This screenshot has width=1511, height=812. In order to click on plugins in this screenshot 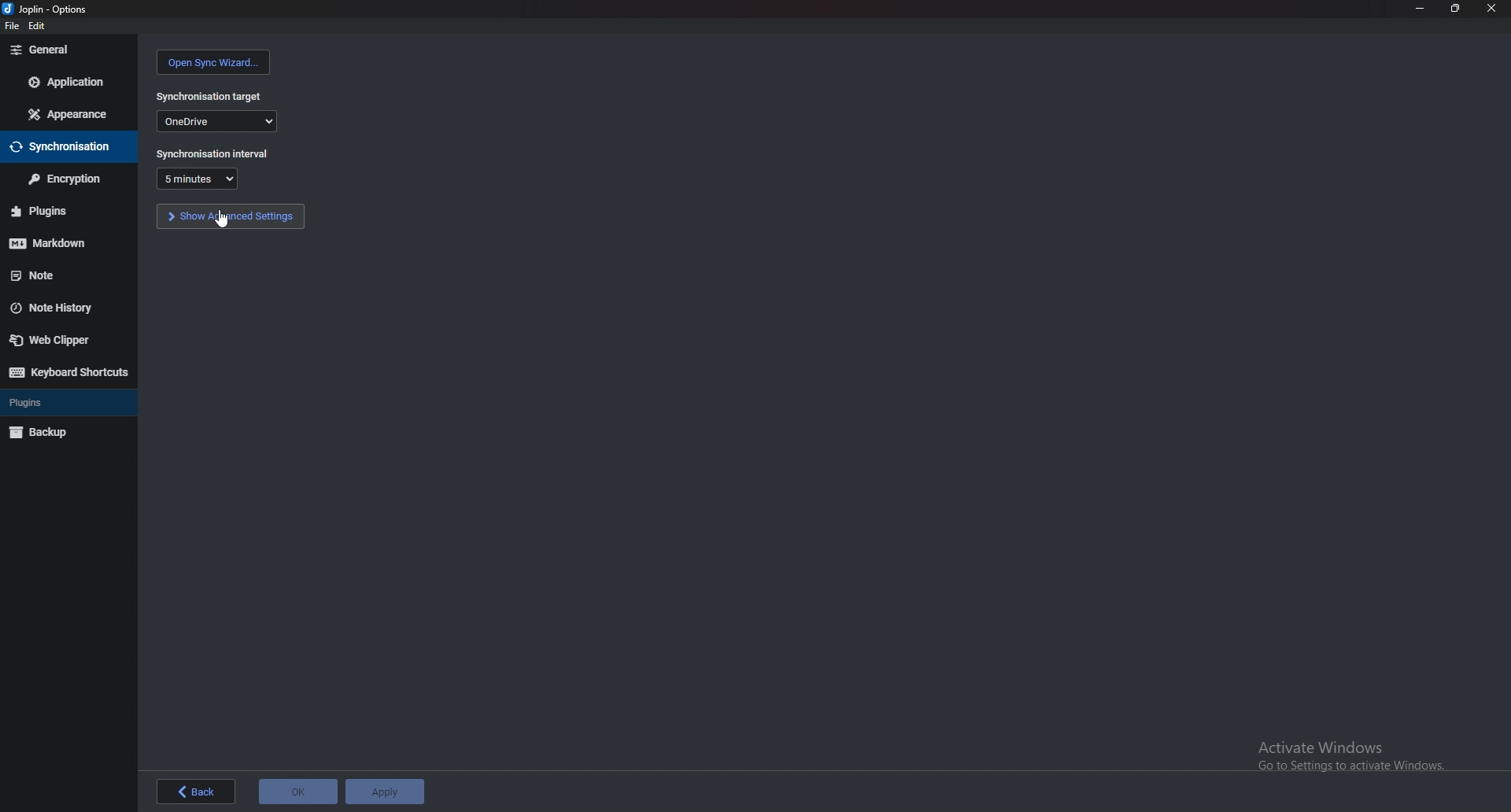, I will do `click(60, 213)`.